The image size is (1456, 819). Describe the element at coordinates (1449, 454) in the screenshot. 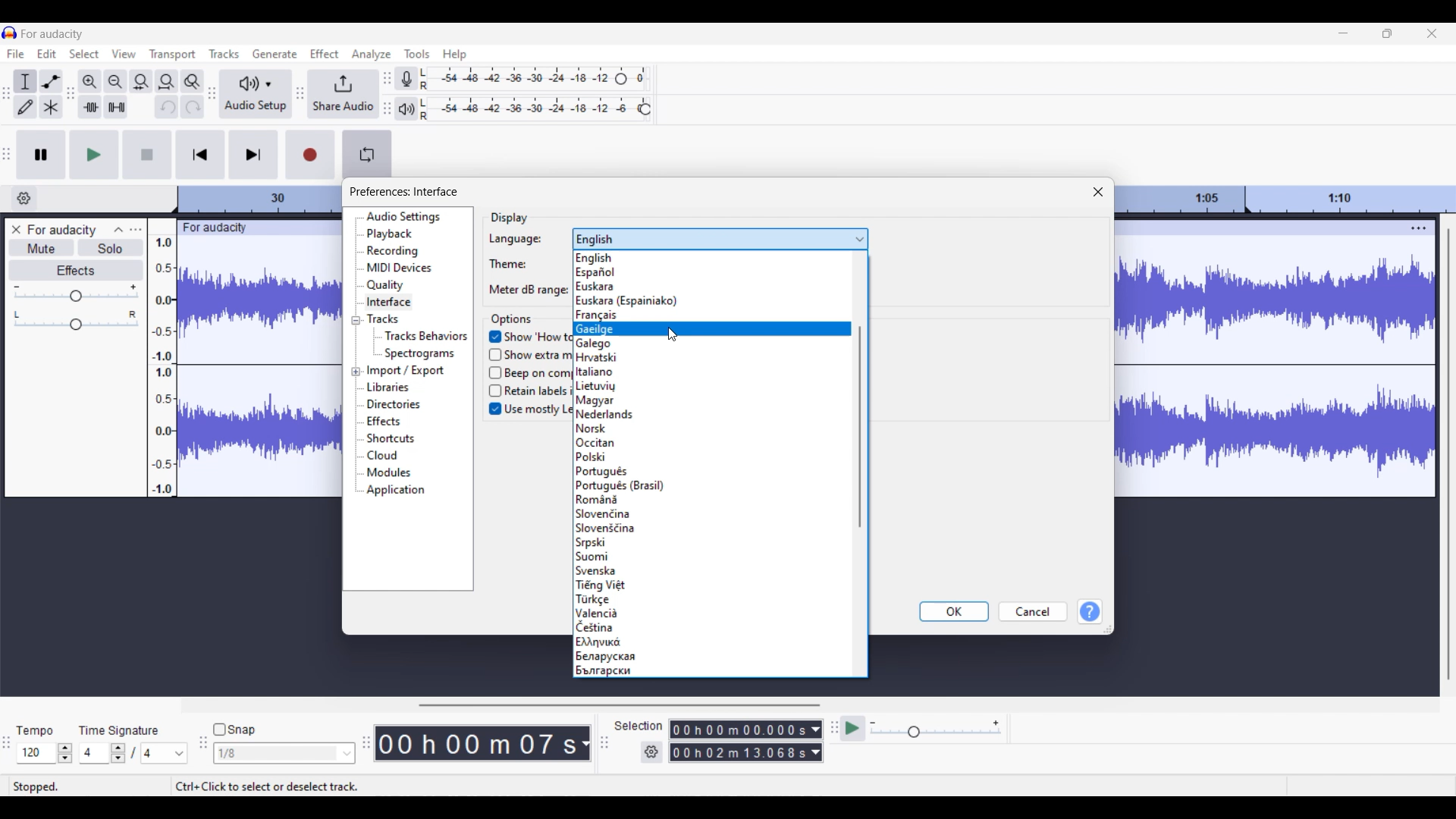

I see `Vertical slide bar` at that location.